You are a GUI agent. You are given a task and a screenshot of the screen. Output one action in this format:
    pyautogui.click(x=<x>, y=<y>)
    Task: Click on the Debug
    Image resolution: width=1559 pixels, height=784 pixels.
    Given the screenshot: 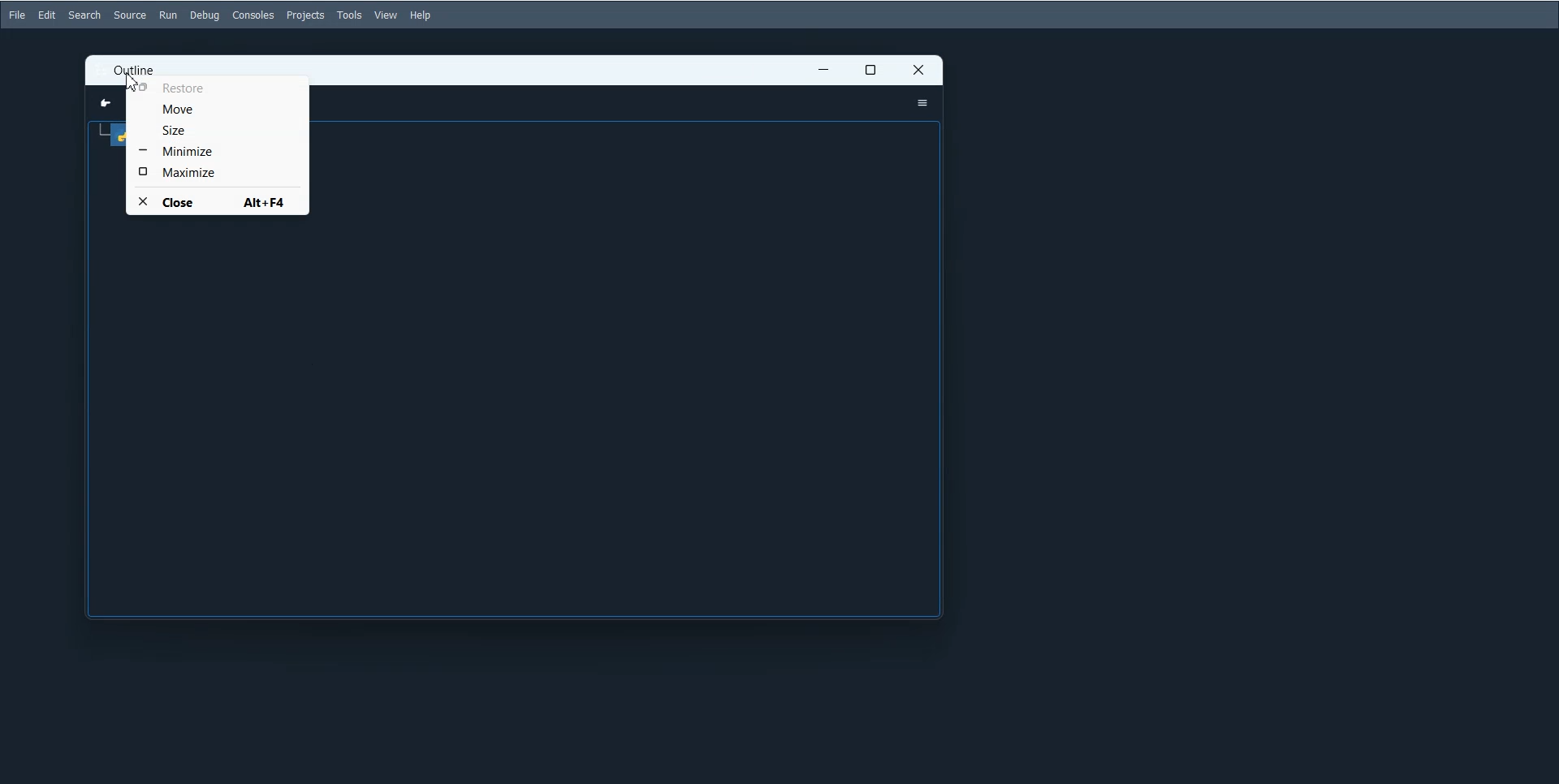 What is the action you would take?
    pyautogui.click(x=205, y=15)
    